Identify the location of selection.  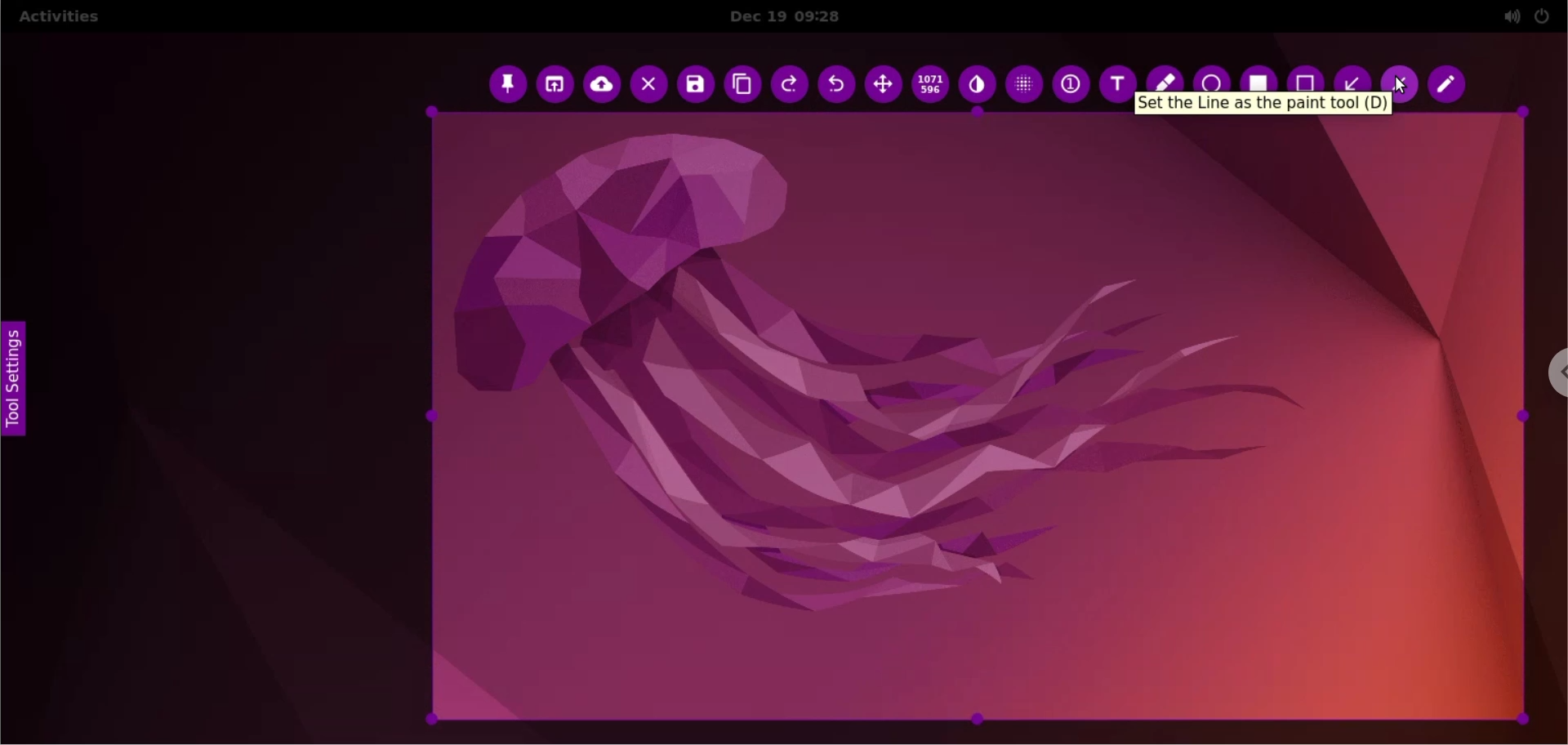
(1258, 78).